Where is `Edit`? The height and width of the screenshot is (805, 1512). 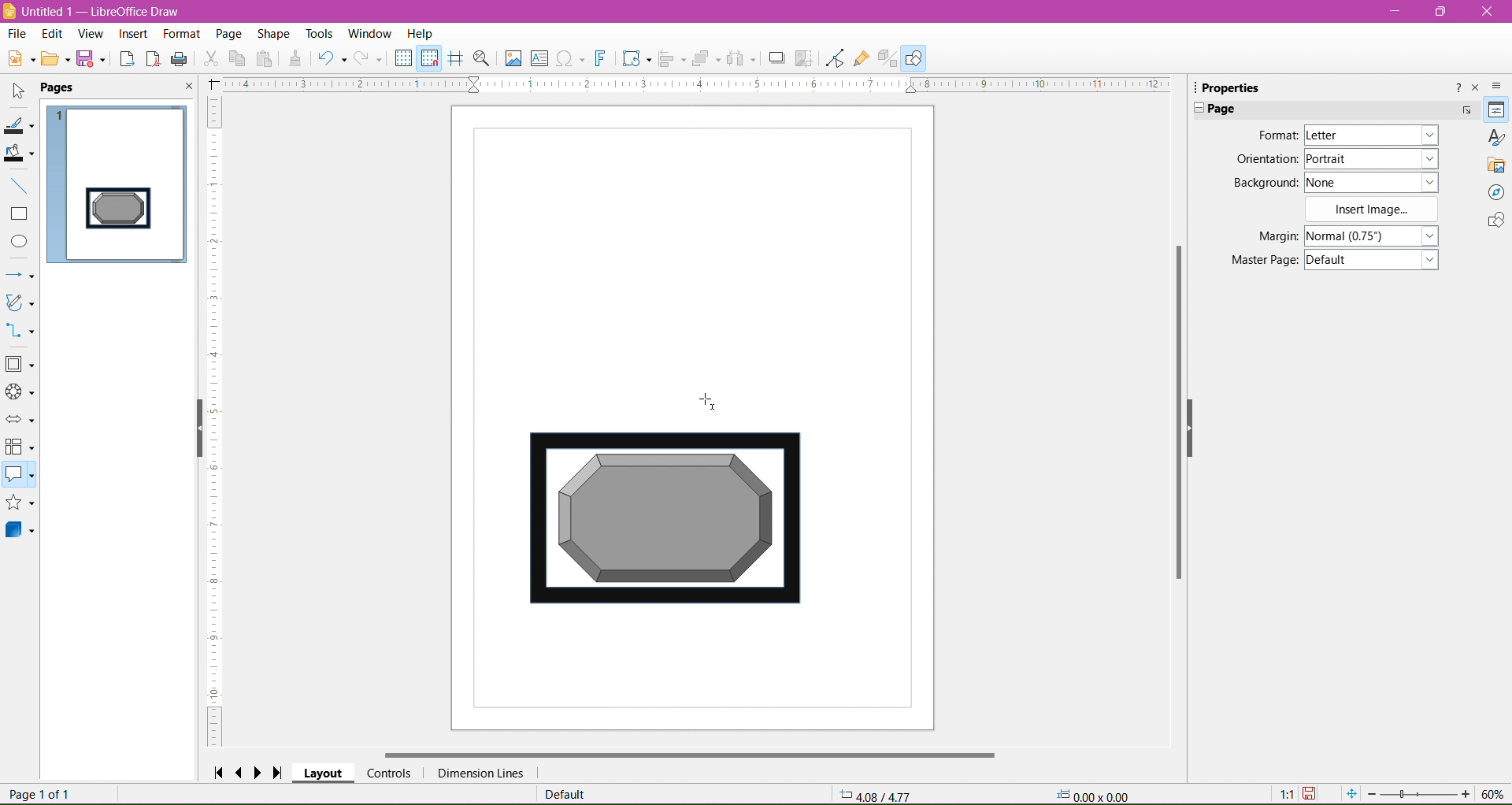 Edit is located at coordinates (52, 34).